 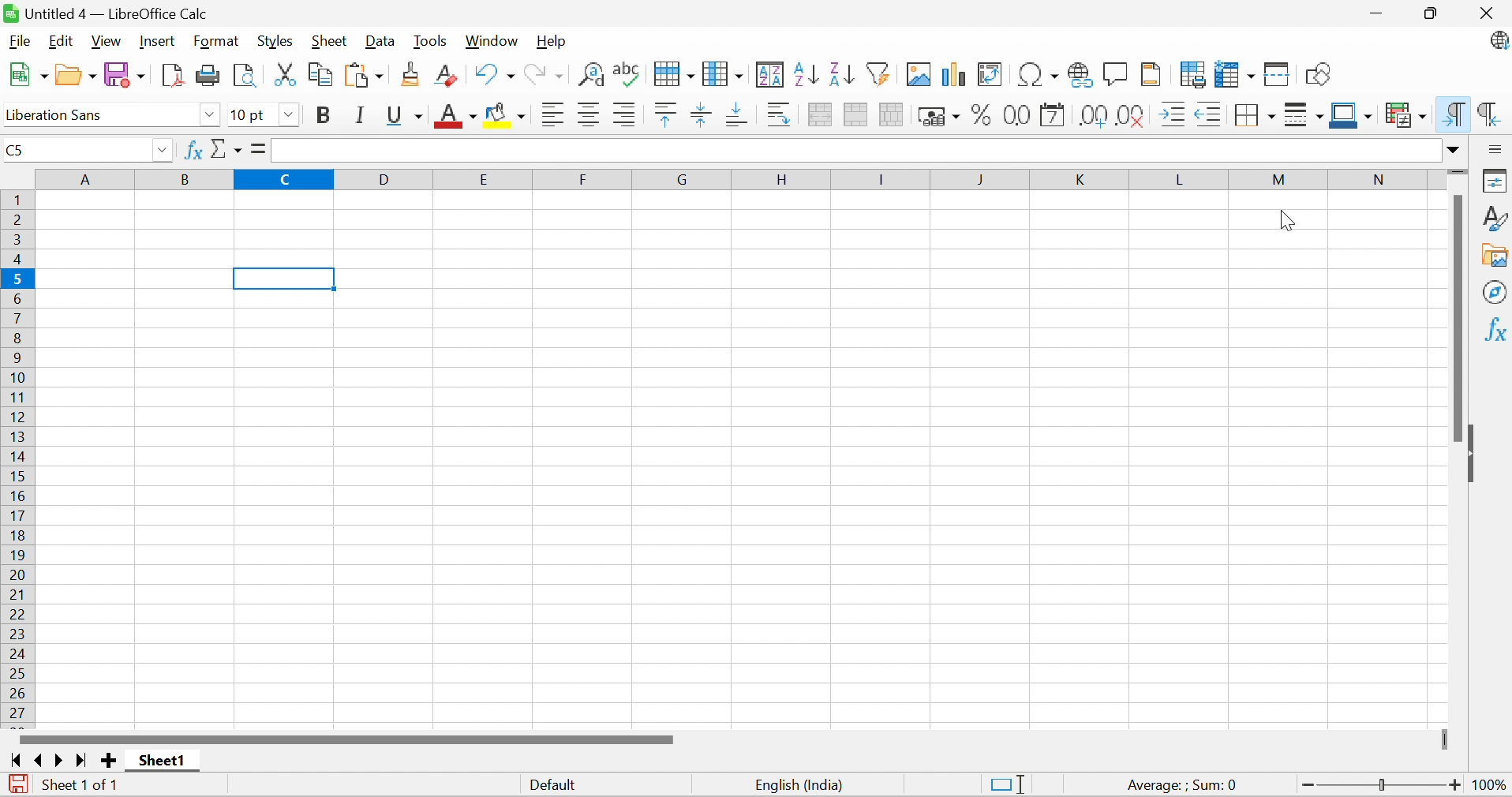 What do you see at coordinates (58, 41) in the screenshot?
I see `Edit` at bounding box center [58, 41].